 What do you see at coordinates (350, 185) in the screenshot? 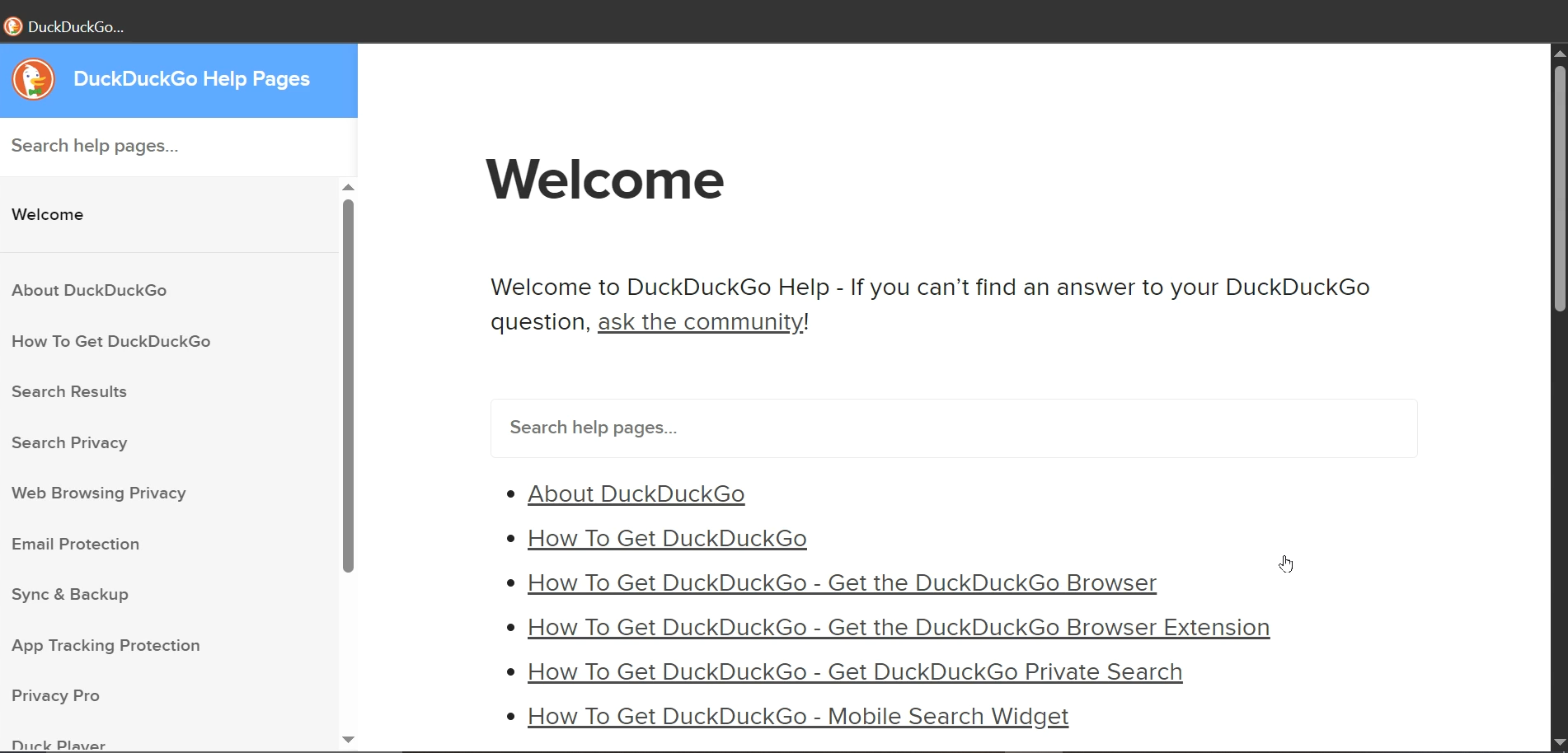
I see `scroll up` at bounding box center [350, 185].